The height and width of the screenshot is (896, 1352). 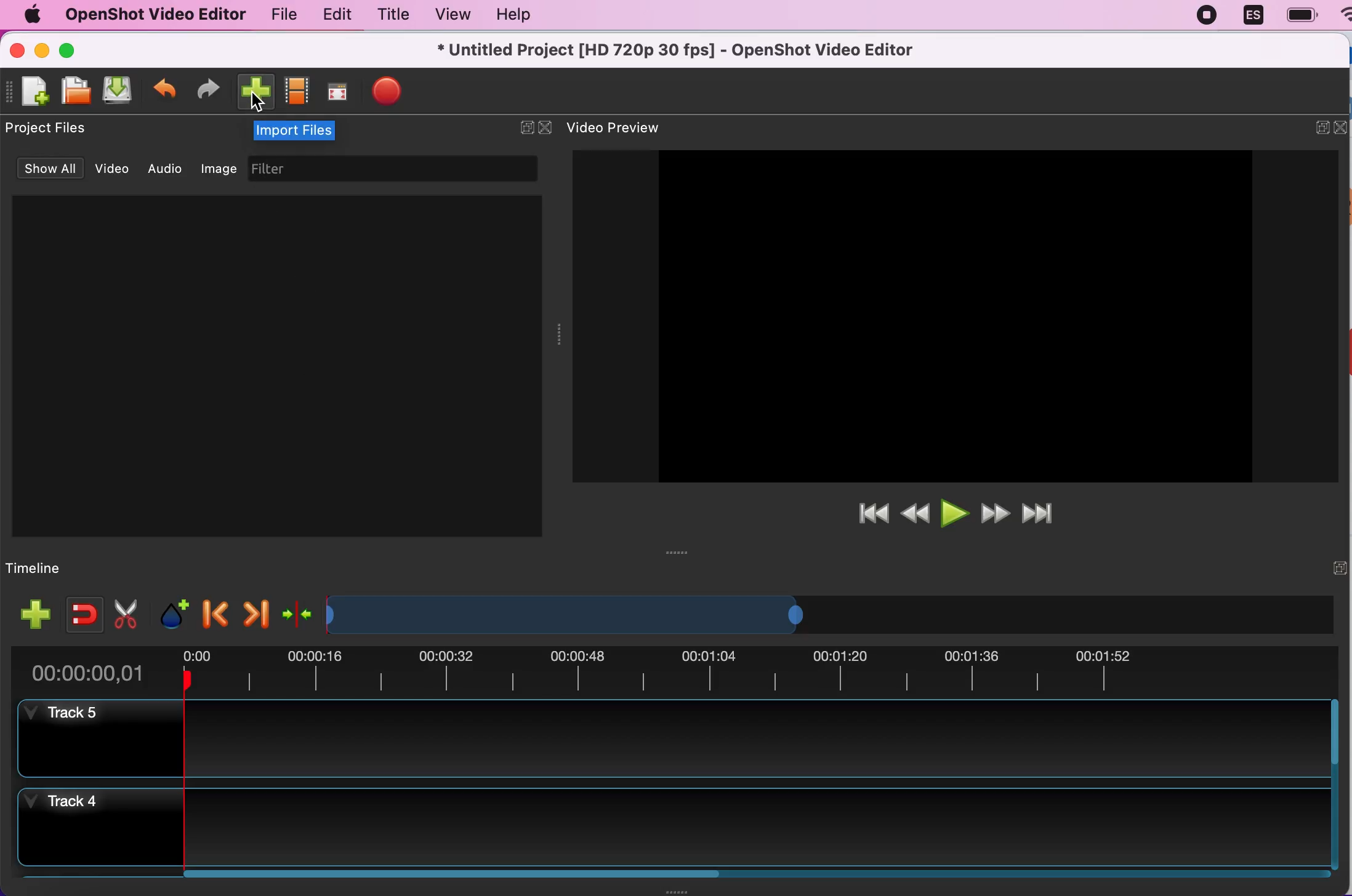 What do you see at coordinates (32, 615) in the screenshot?
I see `add track` at bounding box center [32, 615].